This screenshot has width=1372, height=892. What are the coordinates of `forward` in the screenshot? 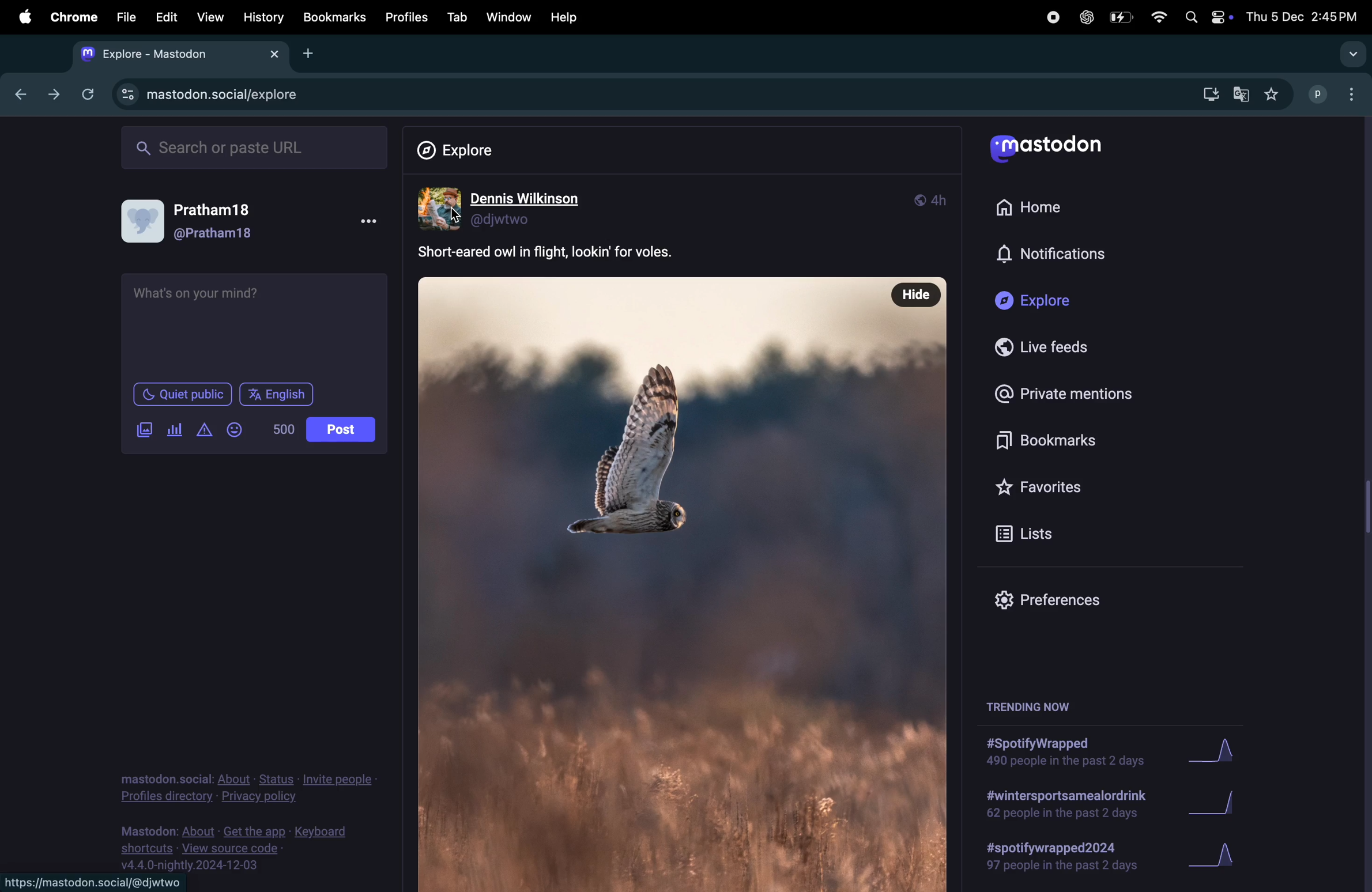 It's located at (52, 92).